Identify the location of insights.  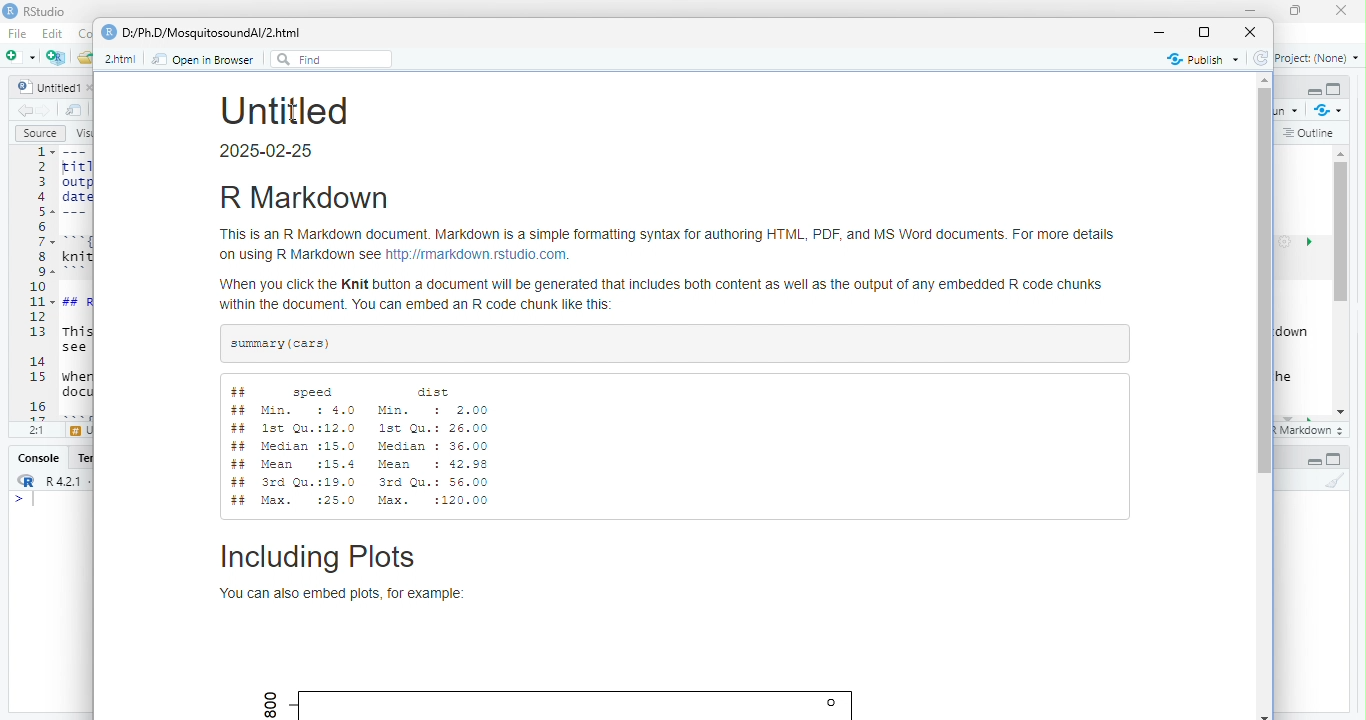
(1310, 242).